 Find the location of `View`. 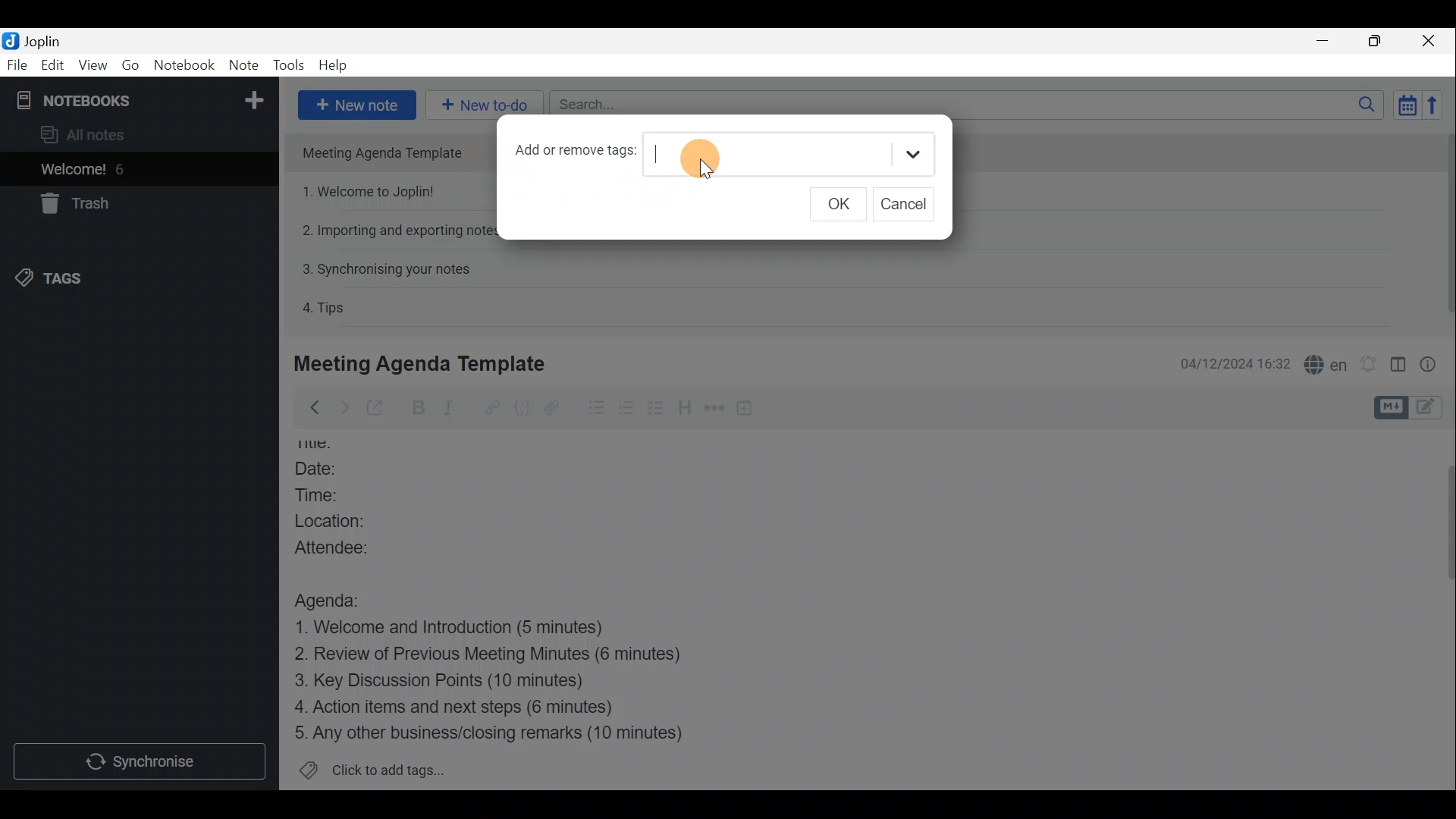

View is located at coordinates (90, 67).